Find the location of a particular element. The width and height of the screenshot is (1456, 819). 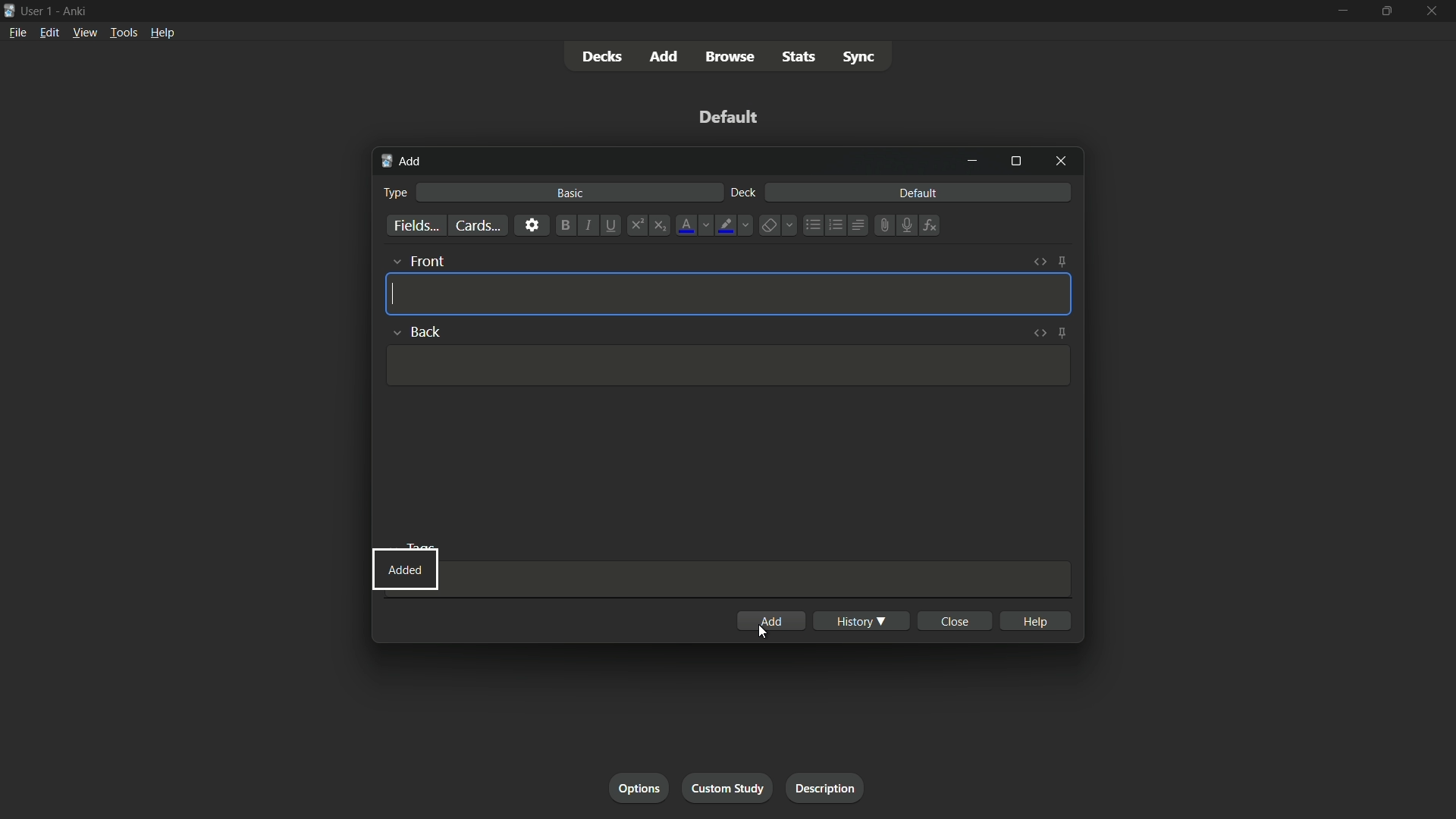

subscript is located at coordinates (662, 225).